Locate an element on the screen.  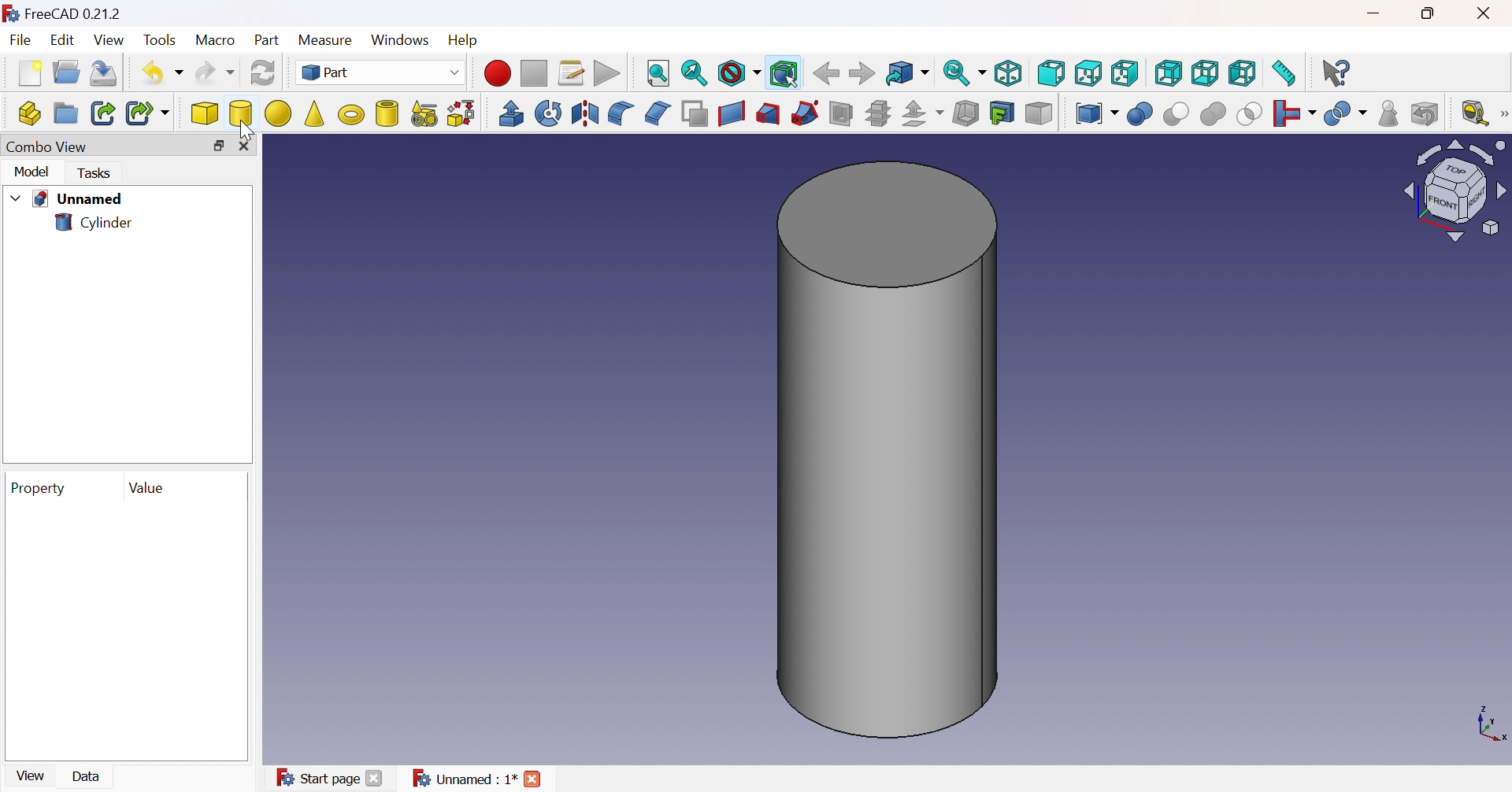
Property is located at coordinates (41, 488).